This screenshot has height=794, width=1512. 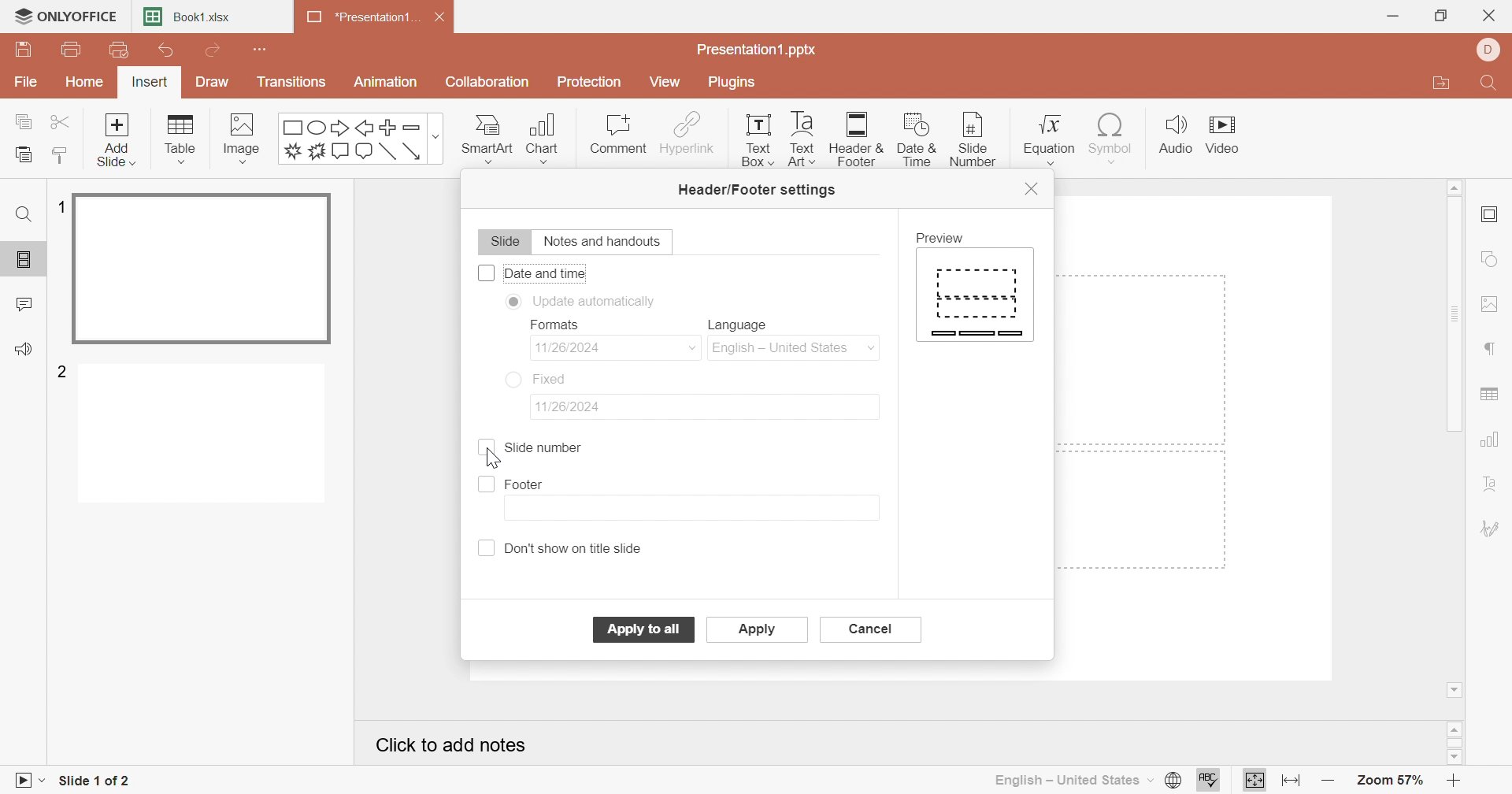 I want to click on Scroll Up, so click(x=1454, y=185).